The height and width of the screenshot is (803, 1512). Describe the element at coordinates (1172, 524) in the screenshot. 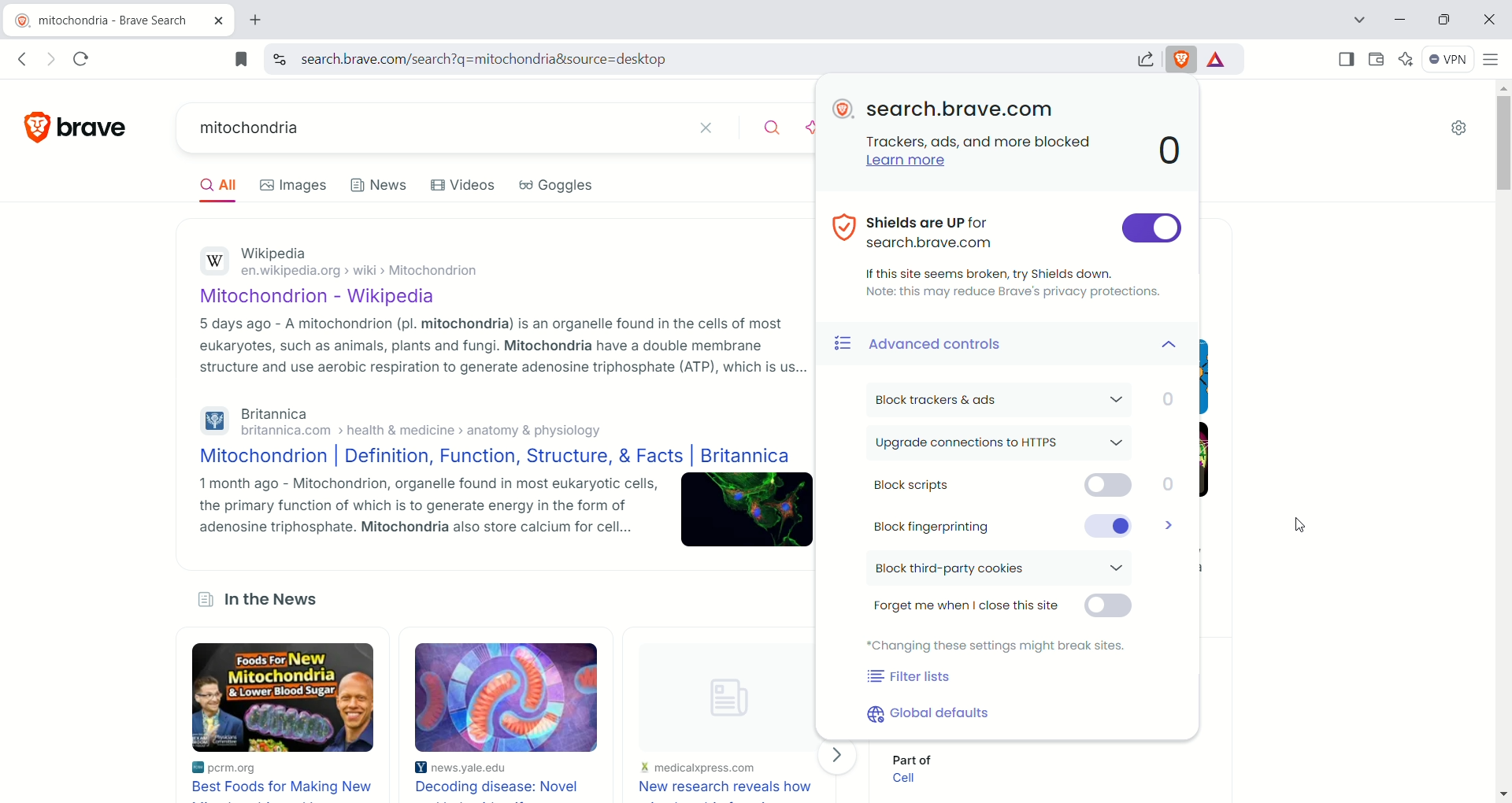

I see `Block fingerprinting` at that location.